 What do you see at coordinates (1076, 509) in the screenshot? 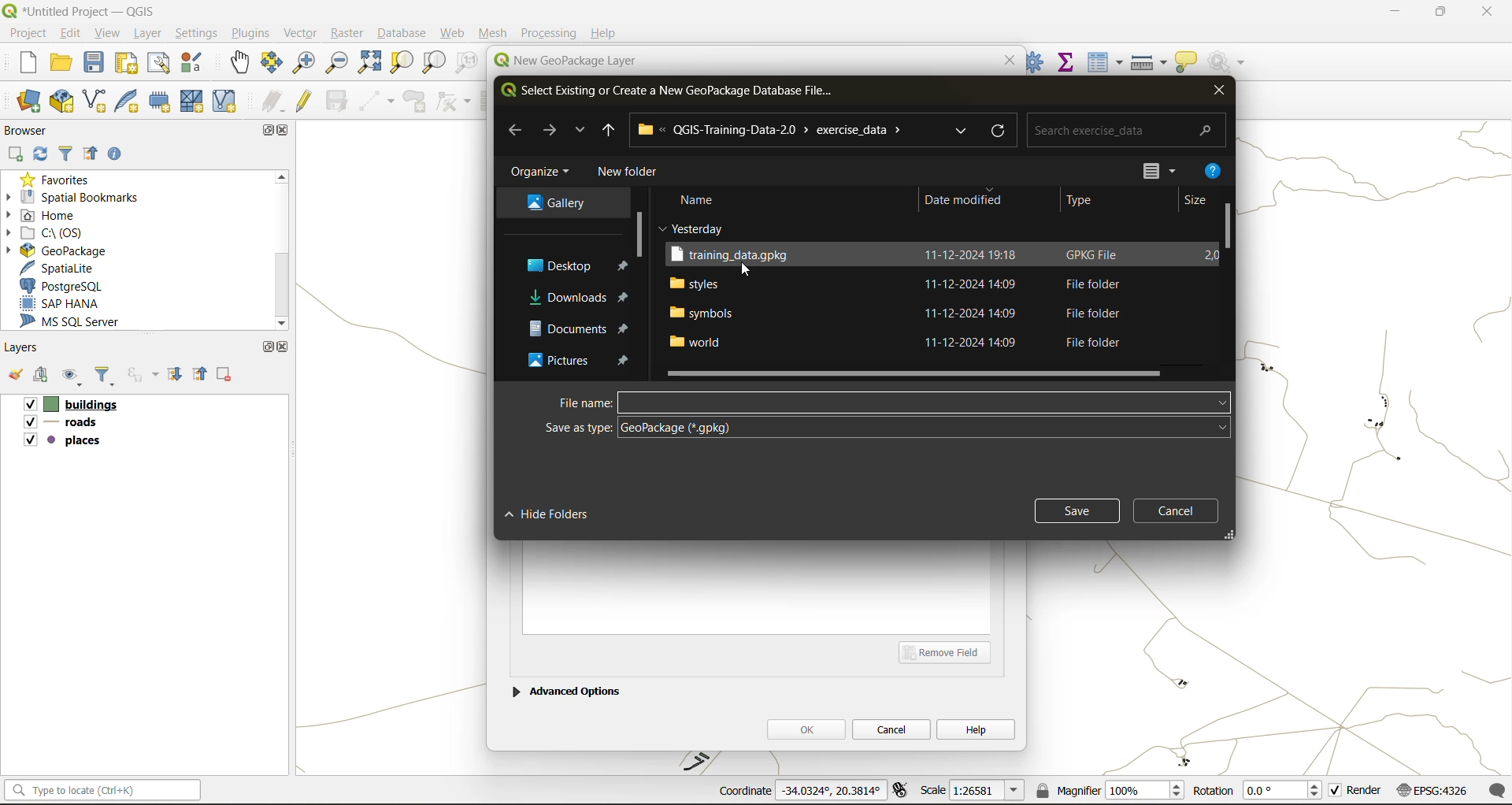
I see `save` at bounding box center [1076, 509].